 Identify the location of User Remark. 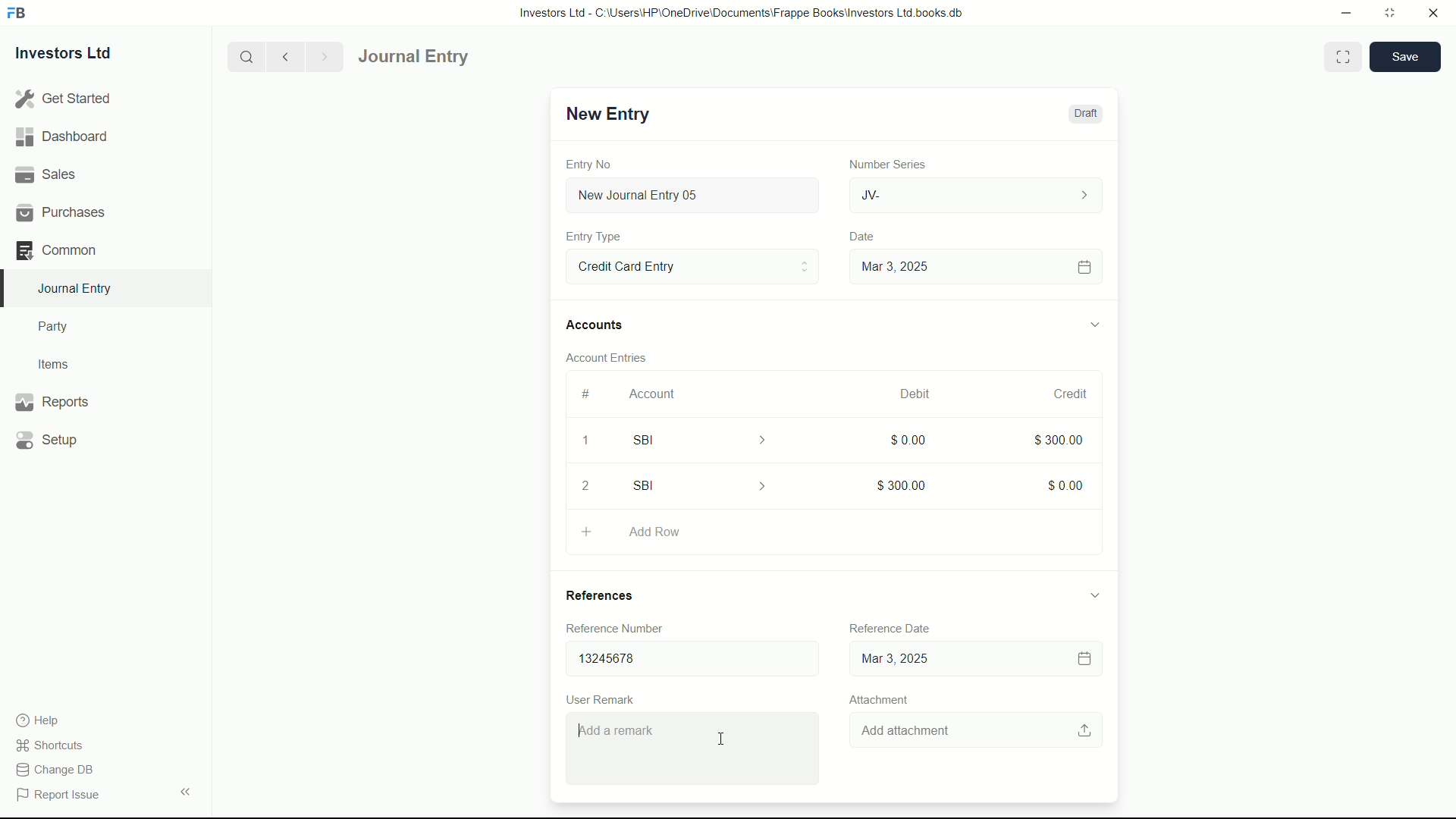
(604, 698).